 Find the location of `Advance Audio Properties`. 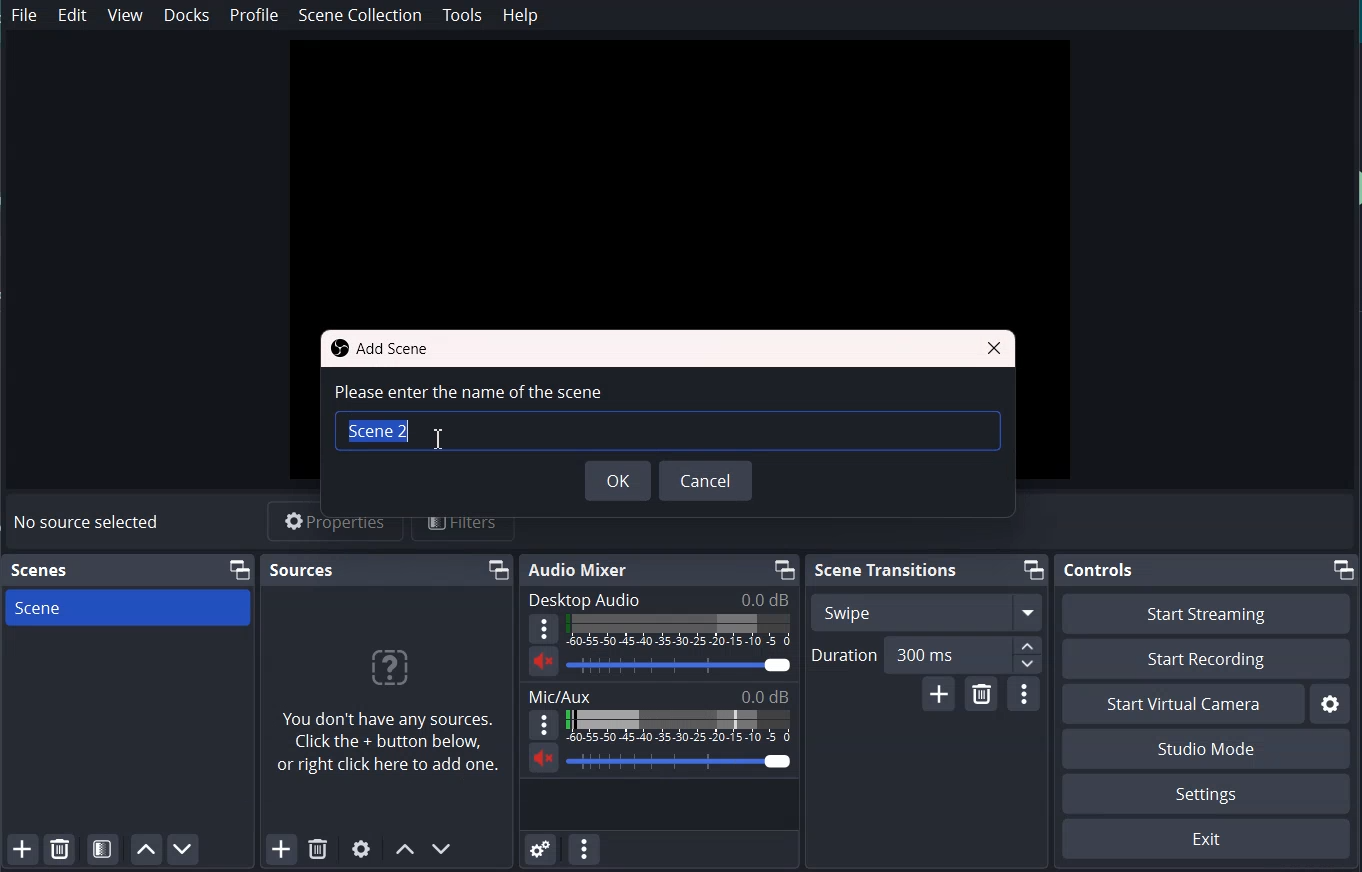

Advance Audio Properties is located at coordinates (541, 847).